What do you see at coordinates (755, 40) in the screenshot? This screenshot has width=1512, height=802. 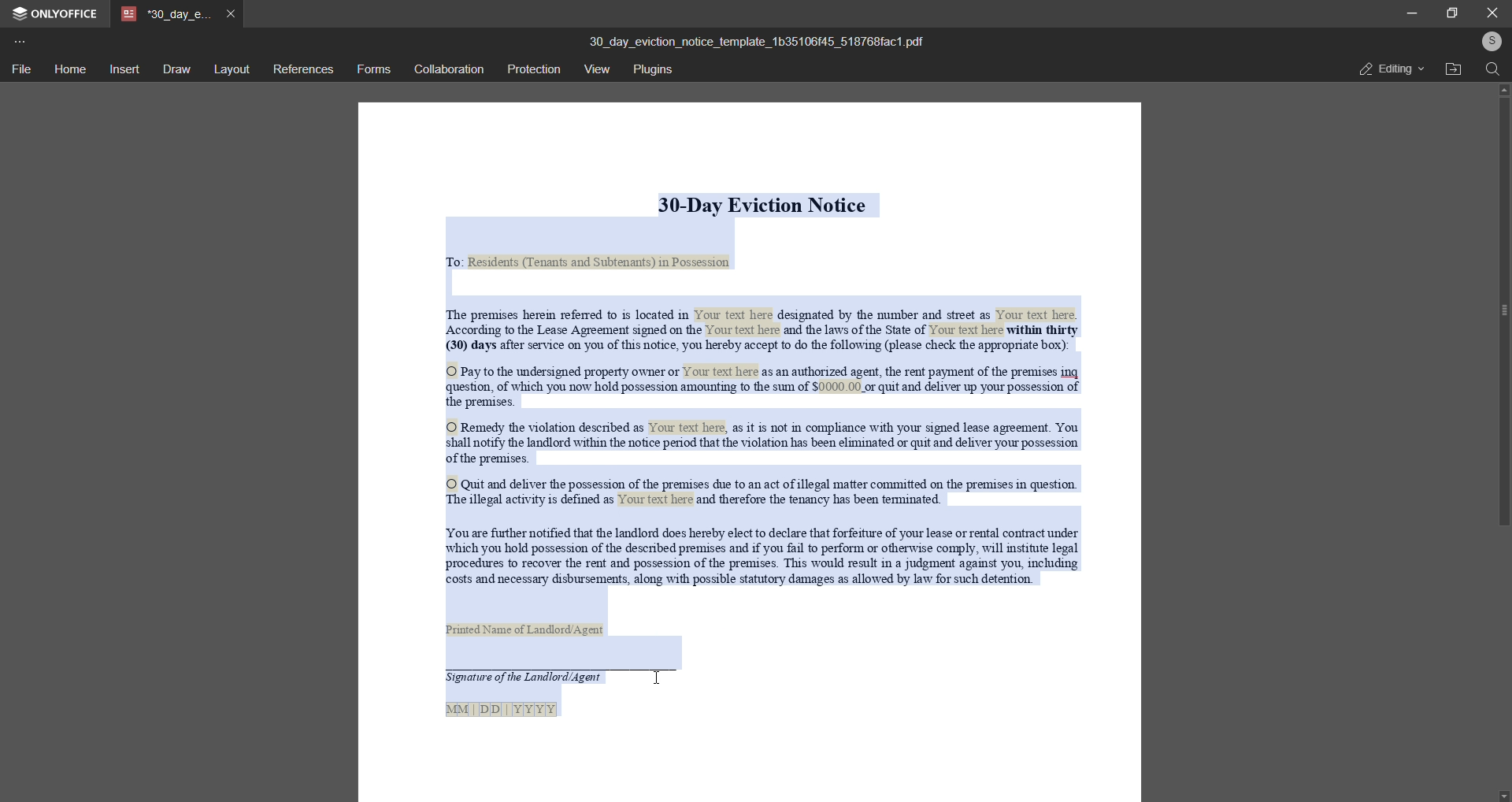 I see `(title)30_day_eviction_notice_template_1b35106f45_518768fac1.pdf` at bounding box center [755, 40].